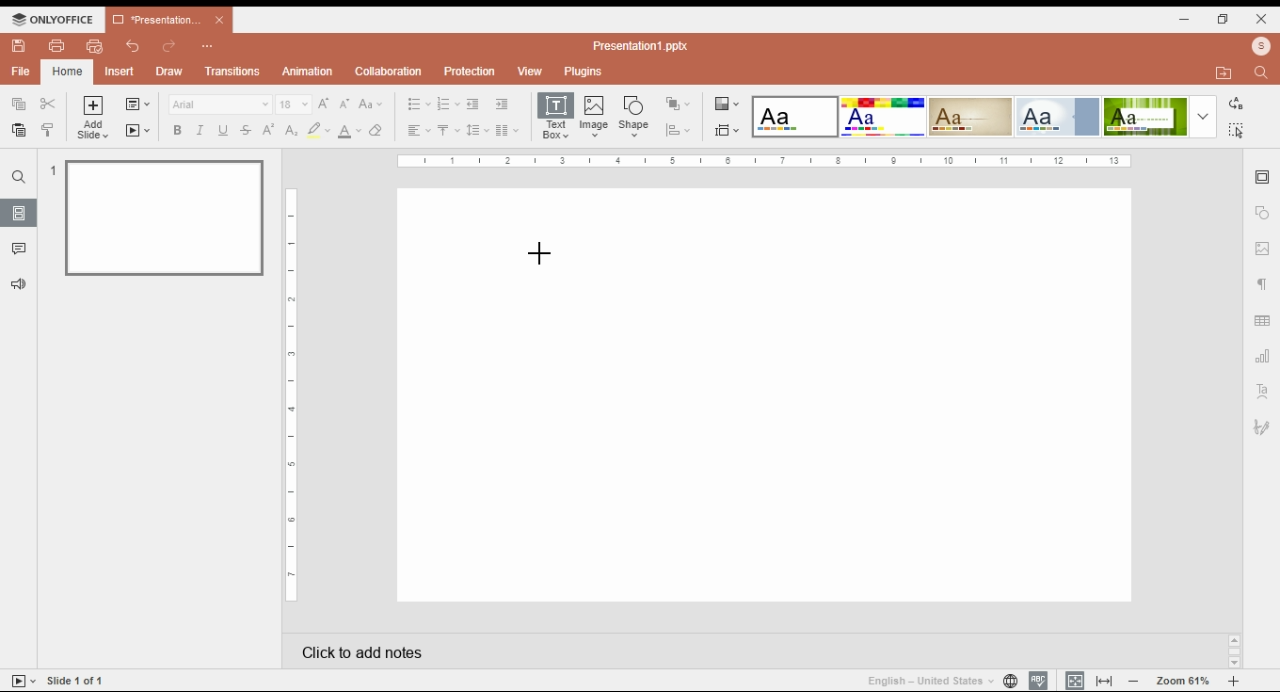 This screenshot has height=692, width=1280. What do you see at coordinates (389, 73) in the screenshot?
I see `collaboration` at bounding box center [389, 73].